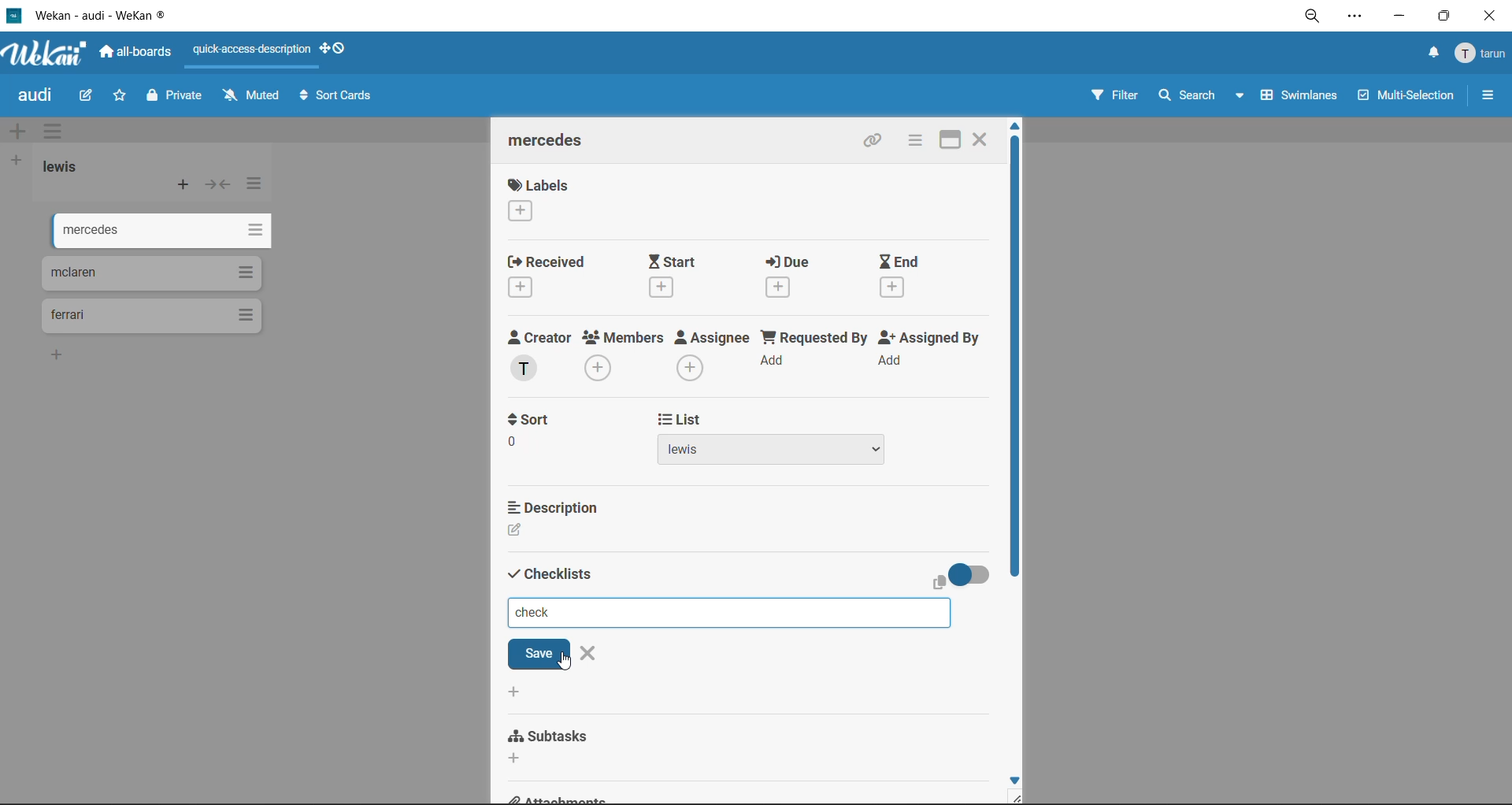 The height and width of the screenshot is (805, 1512). I want to click on add list, so click(17, 161).